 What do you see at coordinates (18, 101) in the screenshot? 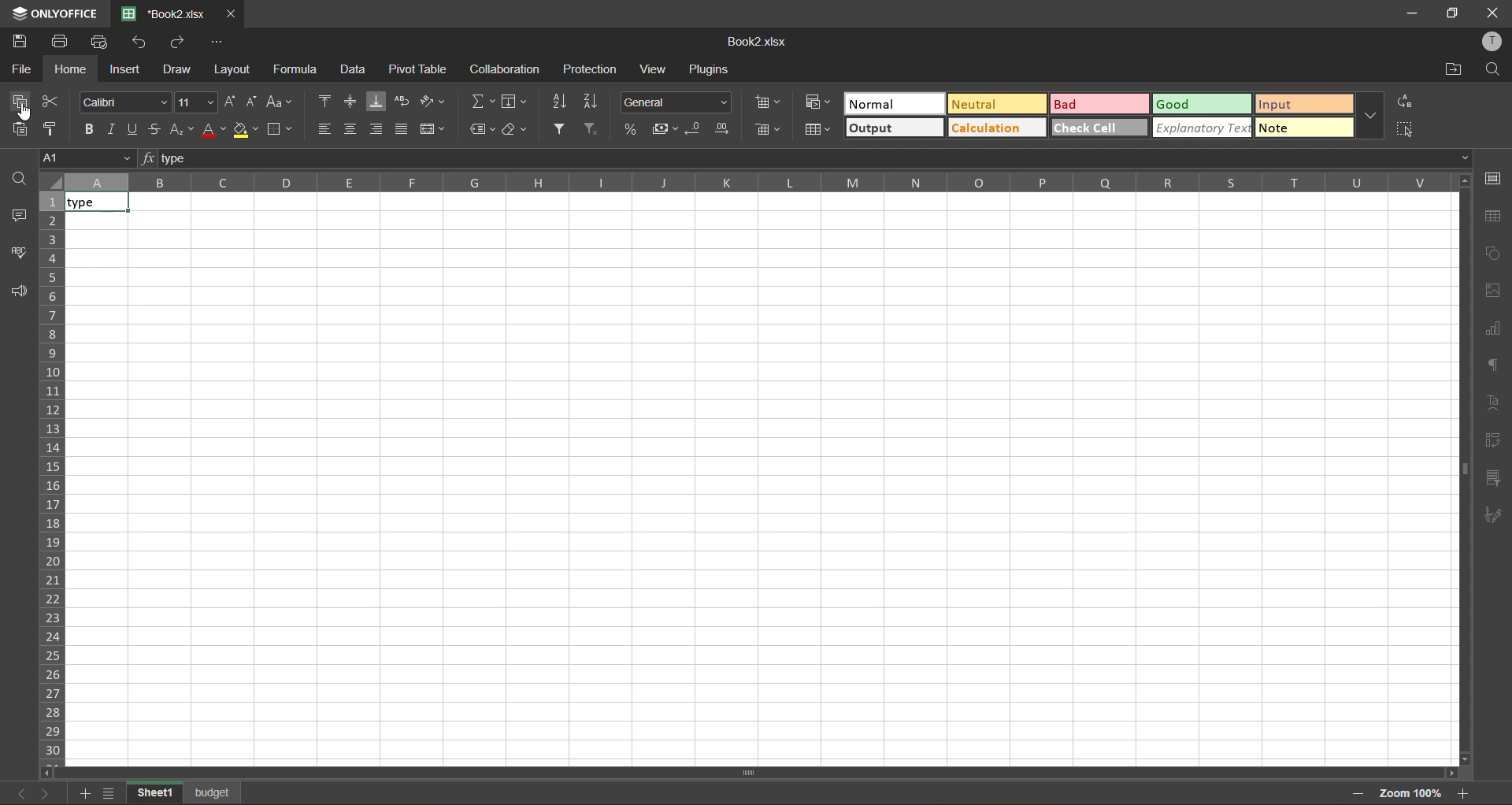
I see `copy` at bounding box center [18, 101].